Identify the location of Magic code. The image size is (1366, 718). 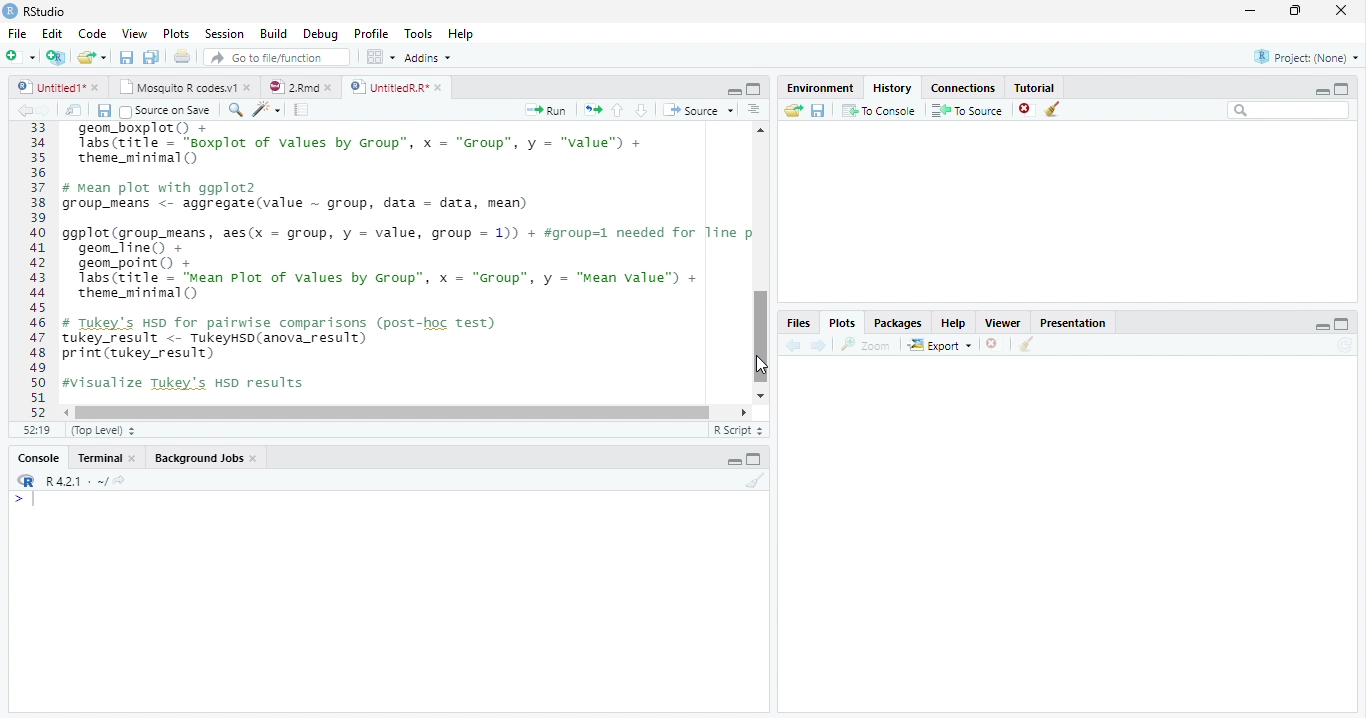
(267, 111).